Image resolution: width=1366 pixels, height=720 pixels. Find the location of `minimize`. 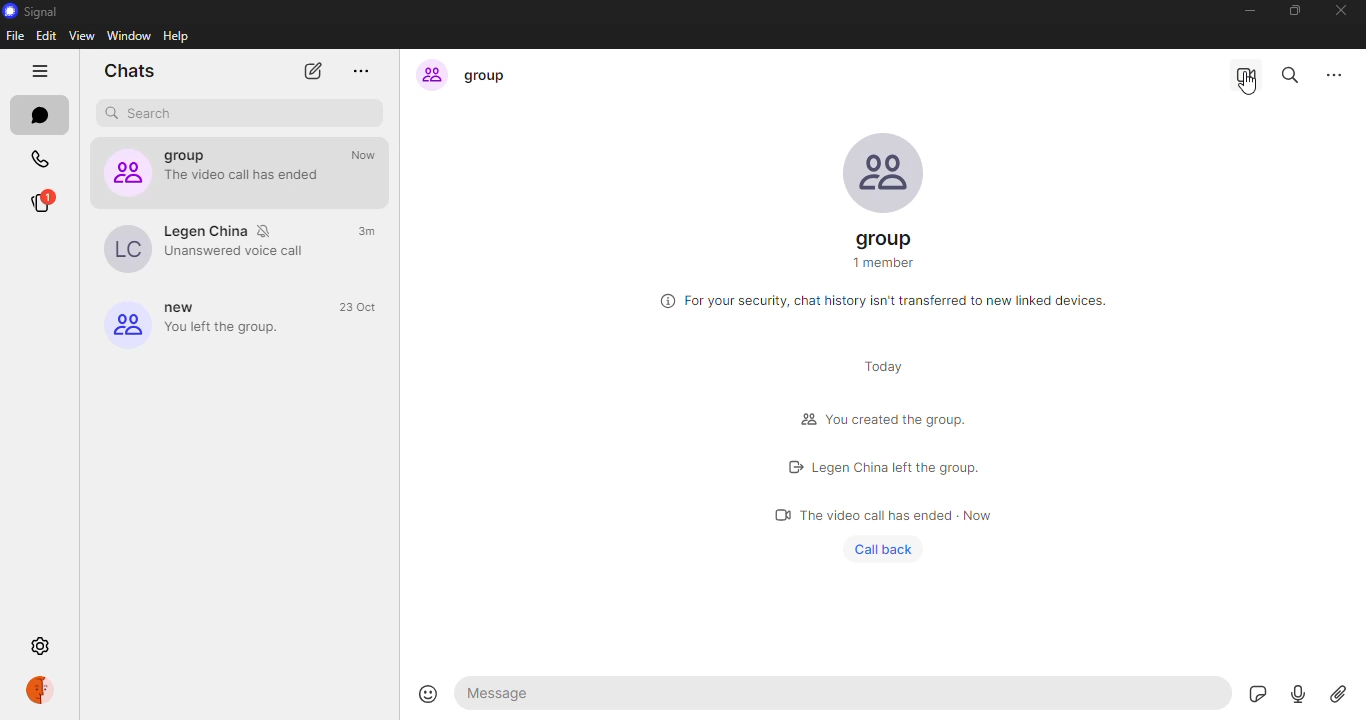

minimize is located at coordinates (1249, 11).